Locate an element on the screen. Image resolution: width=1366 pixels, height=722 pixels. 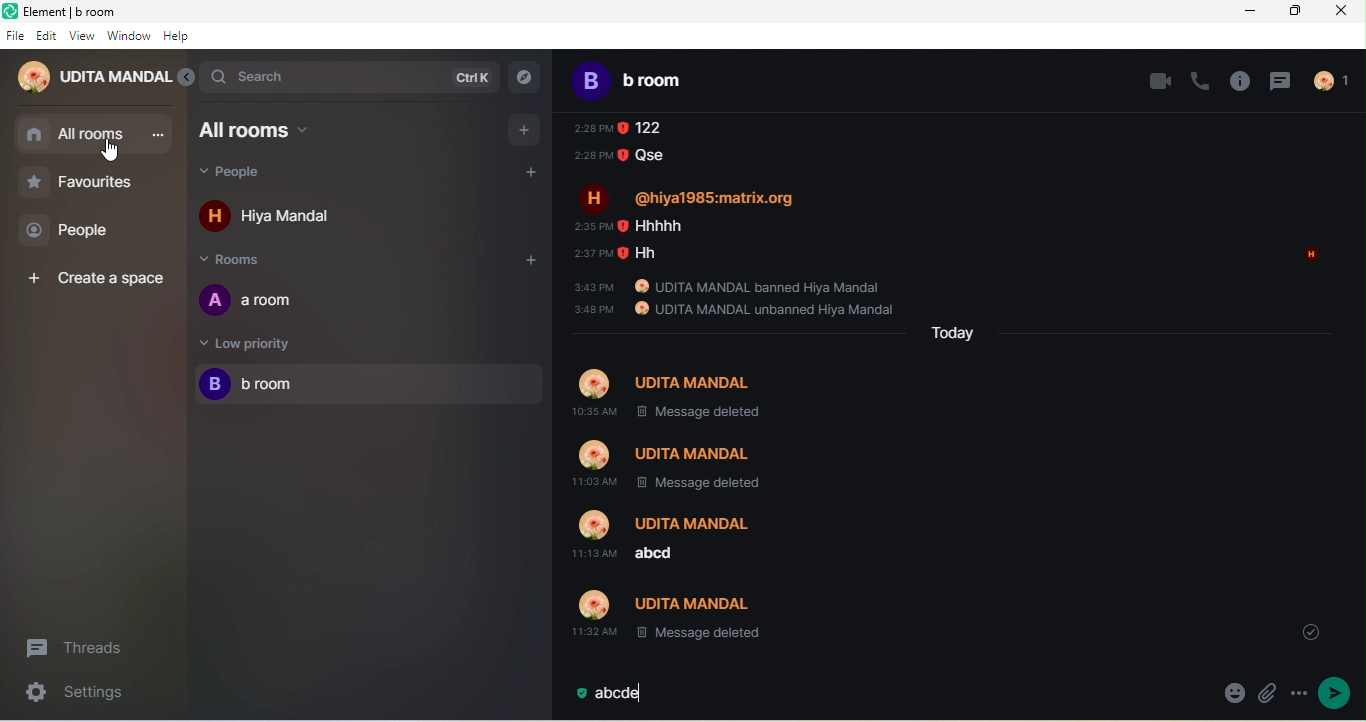
older message is located at coordinates (852, 381).